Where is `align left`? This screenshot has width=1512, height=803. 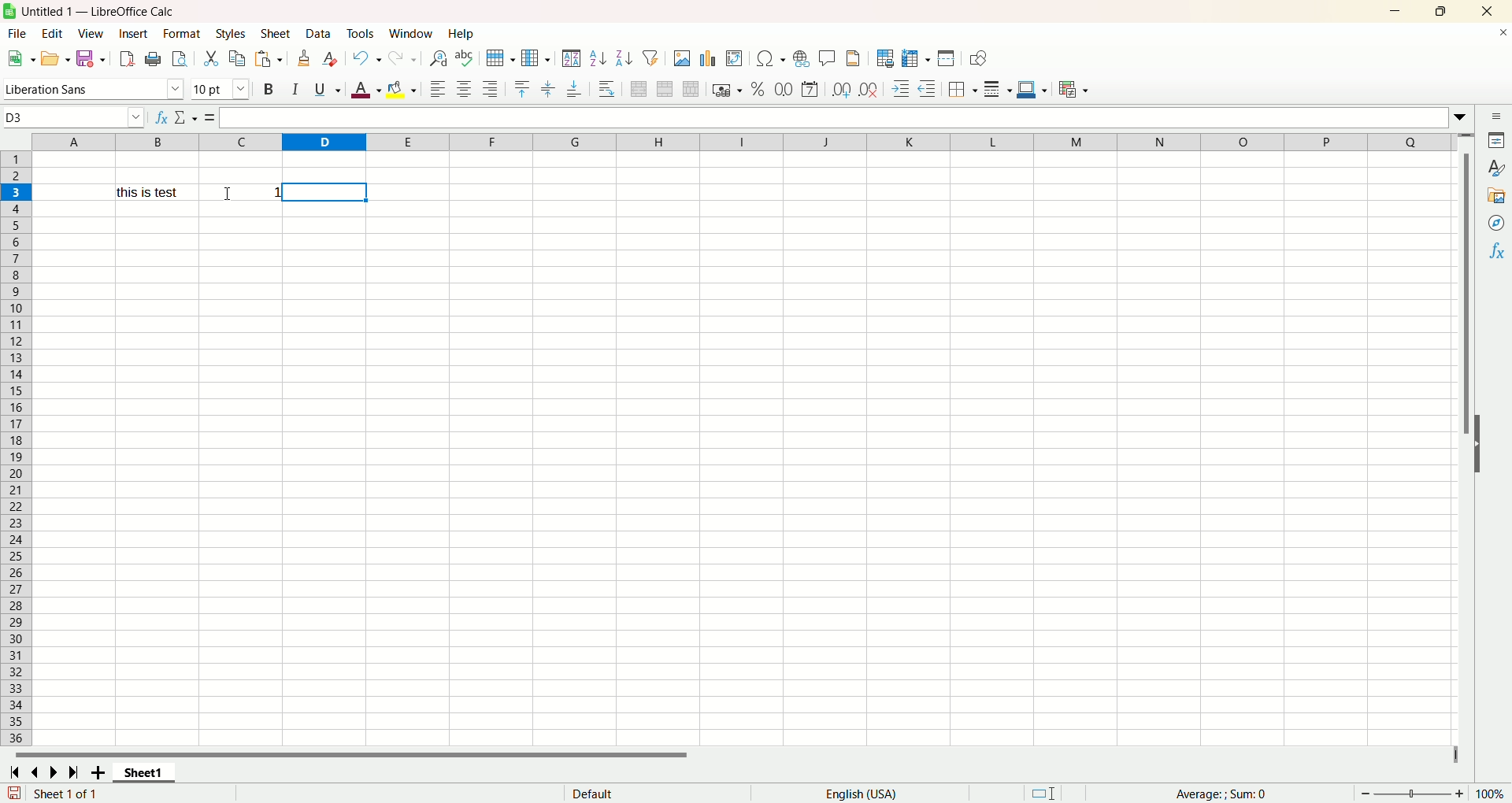
align left is located at coordinates (435, 90).